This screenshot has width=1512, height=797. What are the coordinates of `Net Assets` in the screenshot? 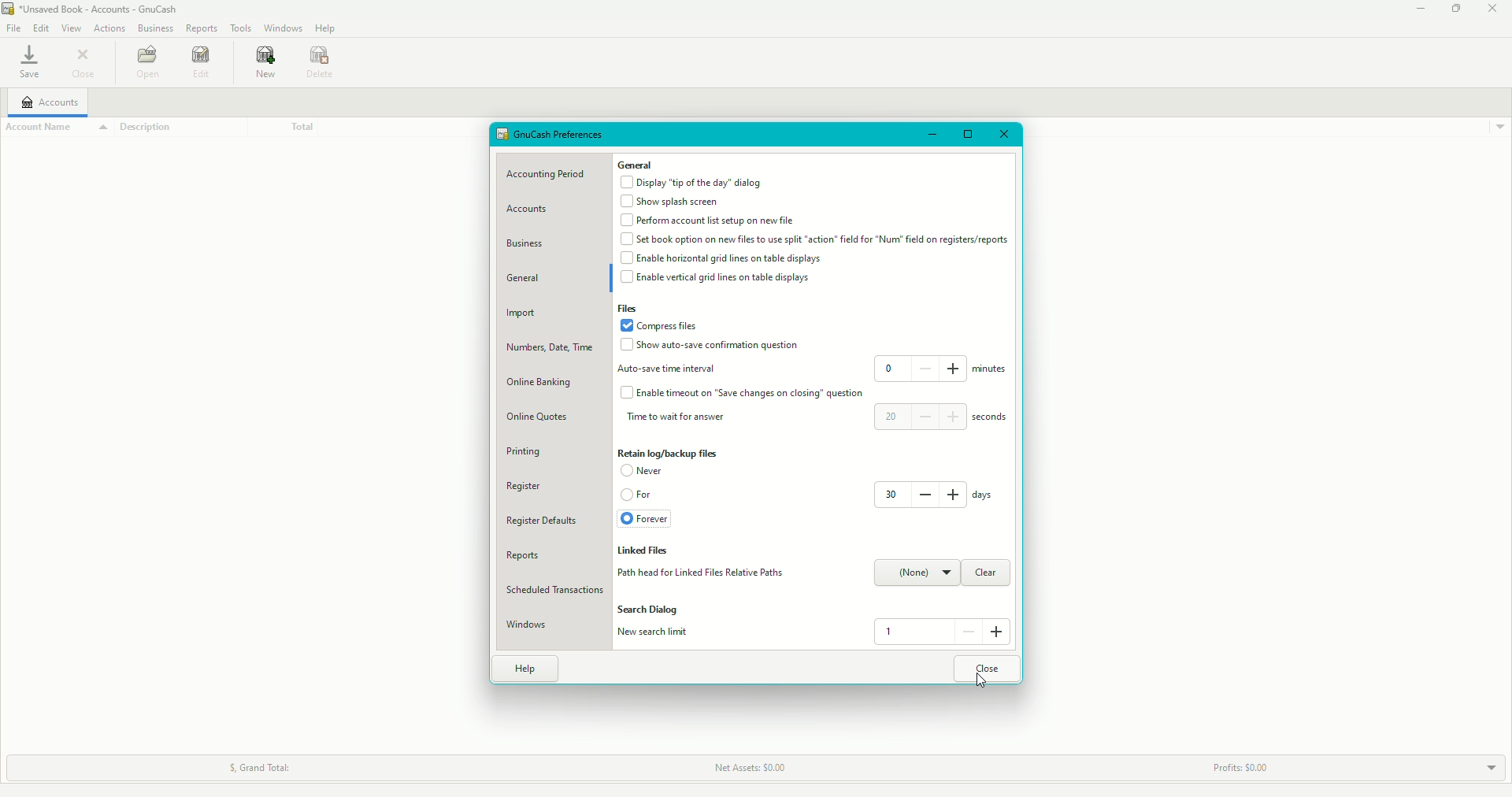 It's located at (747, 769).